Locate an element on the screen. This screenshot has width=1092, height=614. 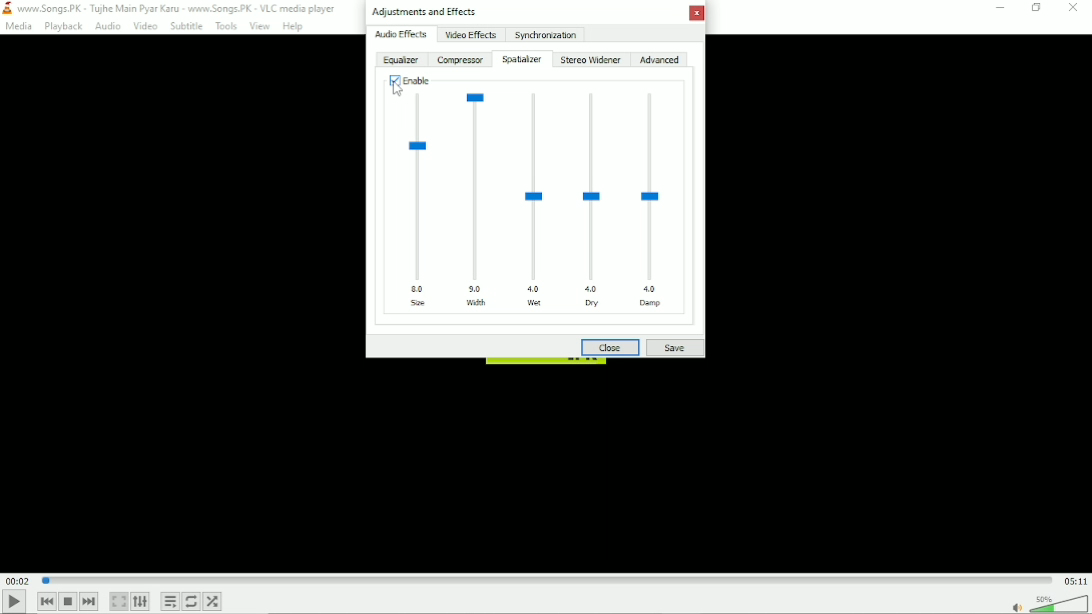
mute is located at coordinates (1016, 607).